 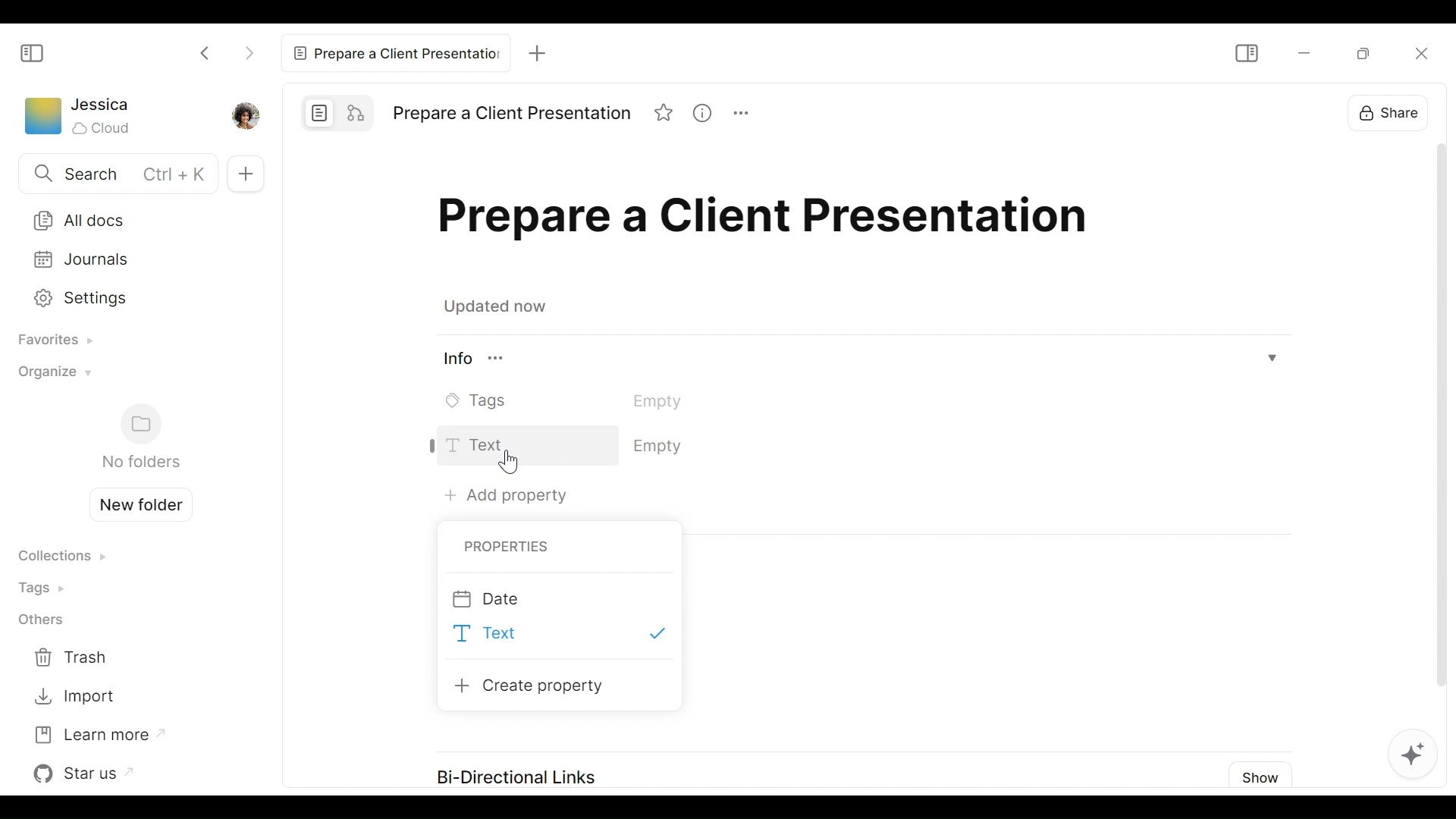 What do you see at coordinates (770, 221) in the screenshot?
I see `Title` at bounding box center [770, 221].